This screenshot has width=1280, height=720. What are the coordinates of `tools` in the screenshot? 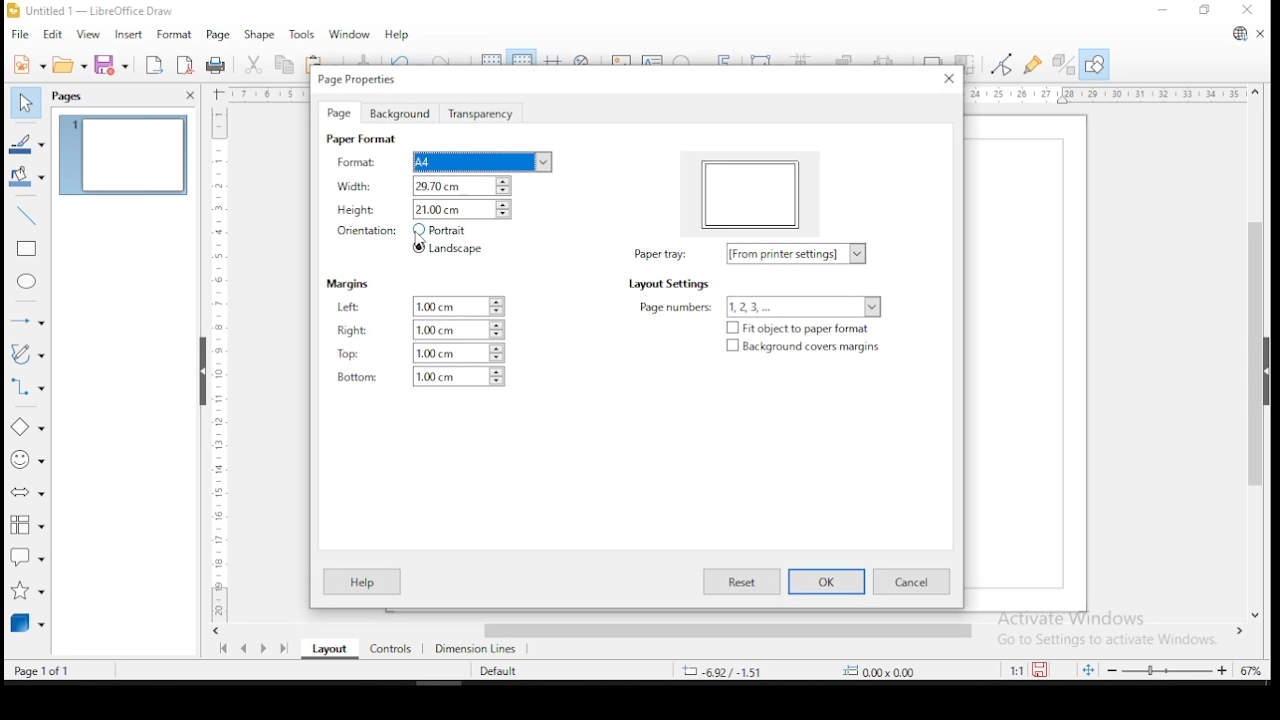 It's located at (303, 33).